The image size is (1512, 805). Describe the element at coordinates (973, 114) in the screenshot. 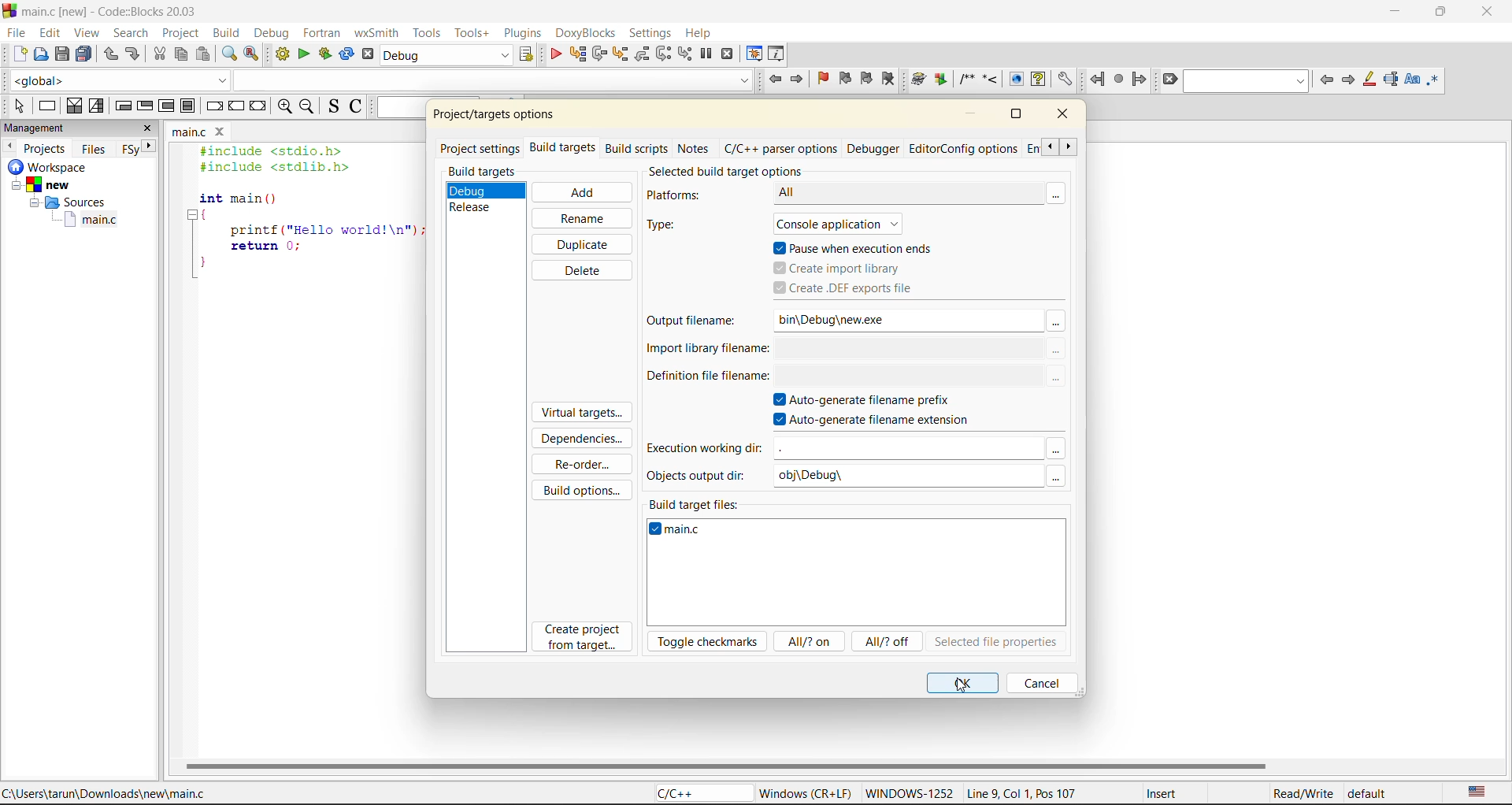

I see `minimize` at that location.